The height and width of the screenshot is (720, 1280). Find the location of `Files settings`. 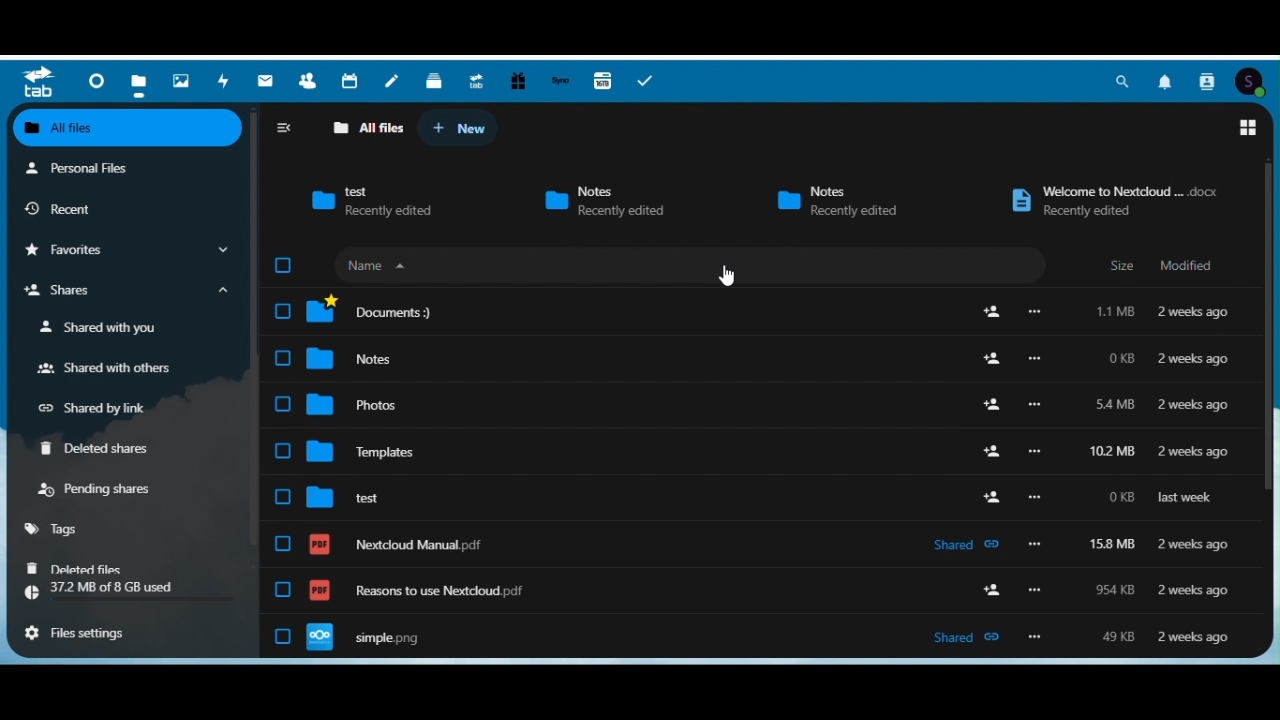

Files settings is located at coordinates (86, 635).